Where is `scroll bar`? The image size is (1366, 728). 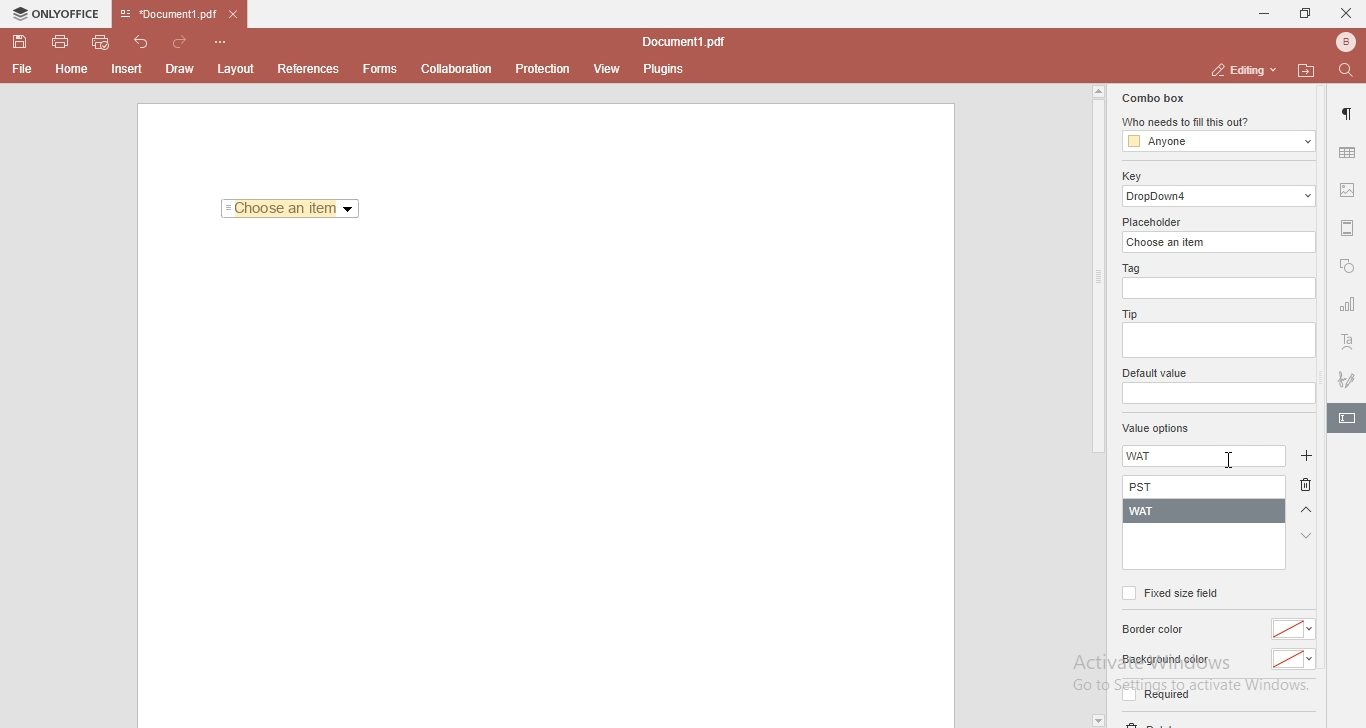 scroll bar is located at coordinates (1097, 270).